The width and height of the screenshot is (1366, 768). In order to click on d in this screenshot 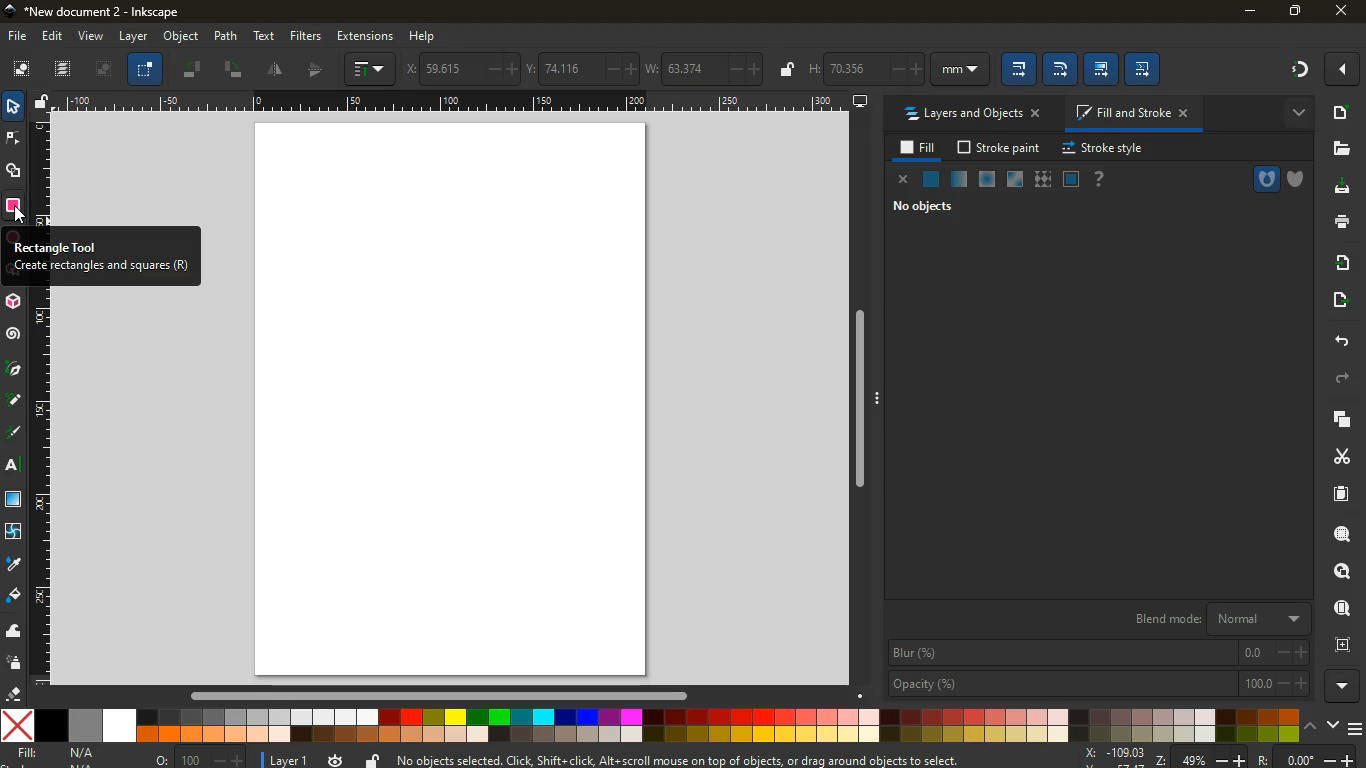, I will do `click(15, 400)`.